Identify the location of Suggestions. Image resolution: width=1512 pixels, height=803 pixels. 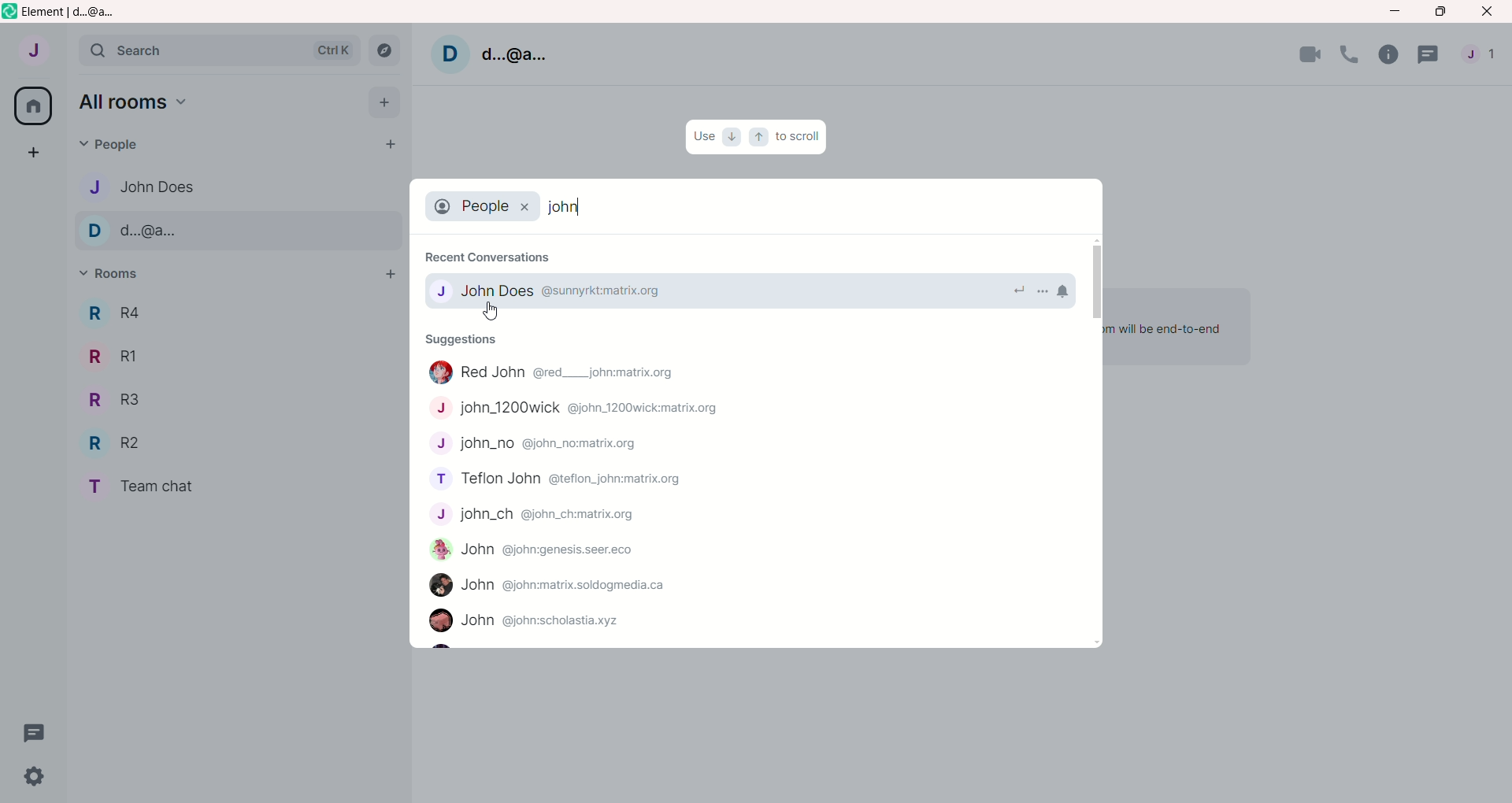
(469, 340).